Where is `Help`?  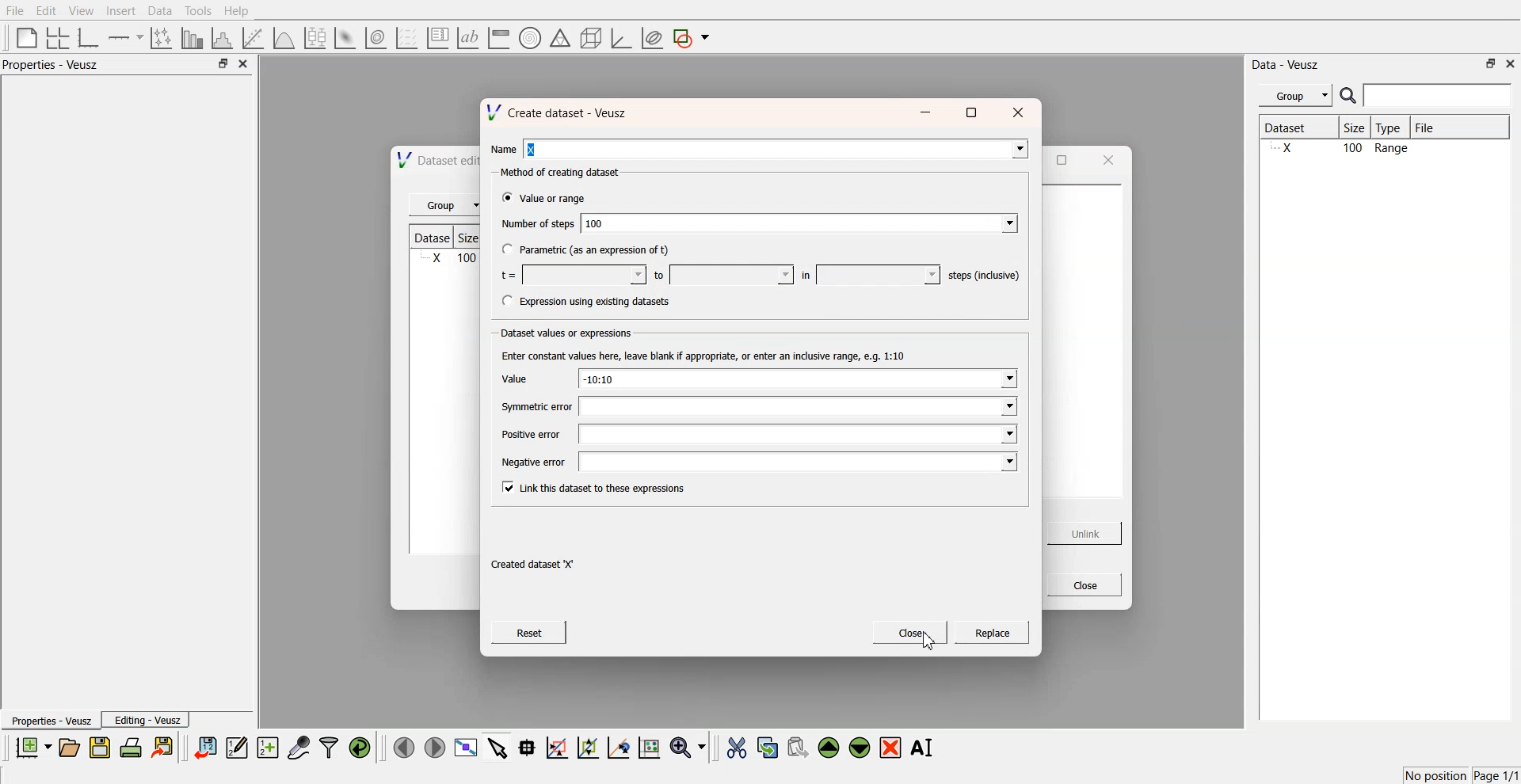 Help is located at coordinates (242, 13).